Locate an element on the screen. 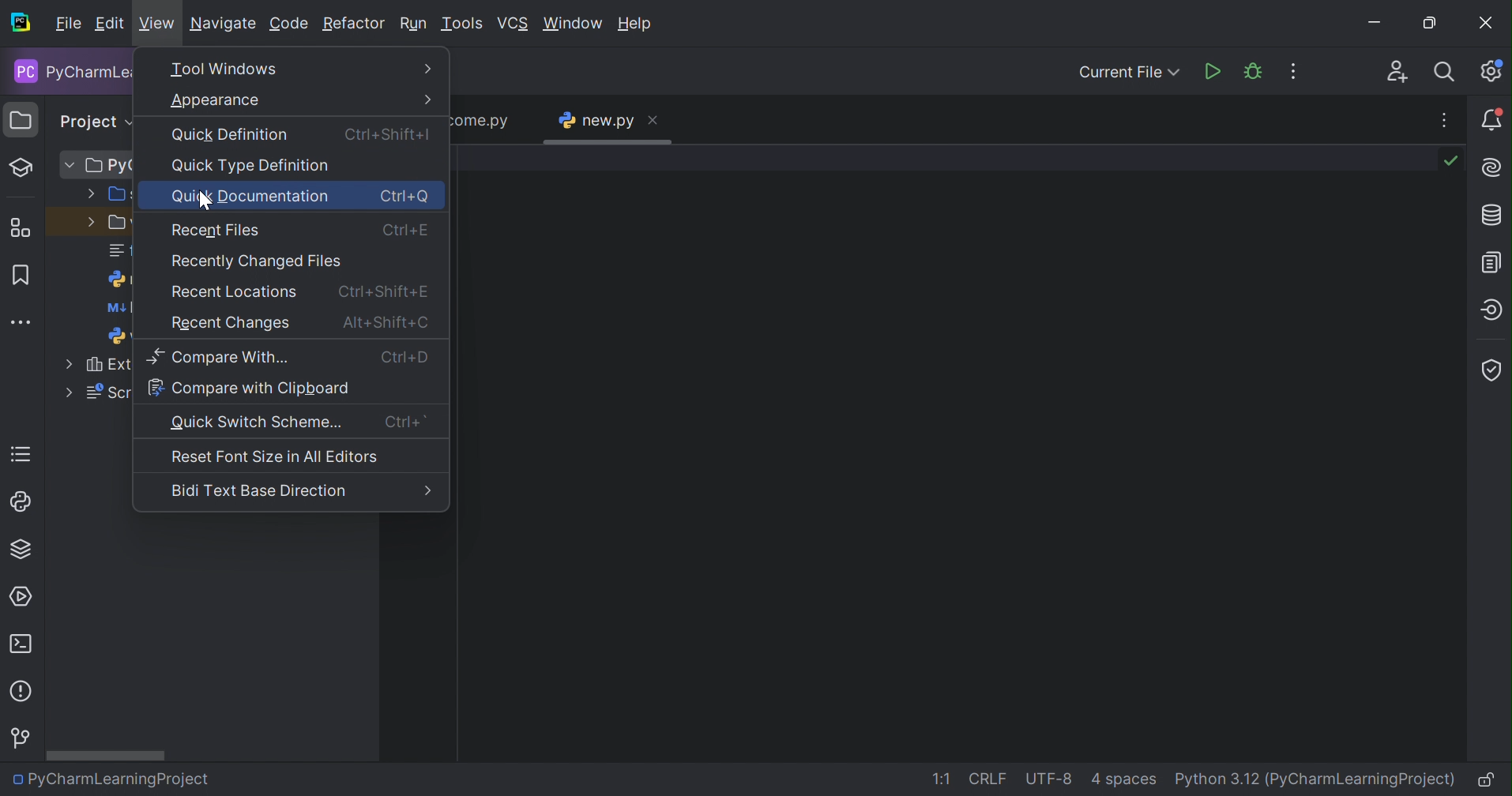  More tool windows is located at coordinates (22, 321).